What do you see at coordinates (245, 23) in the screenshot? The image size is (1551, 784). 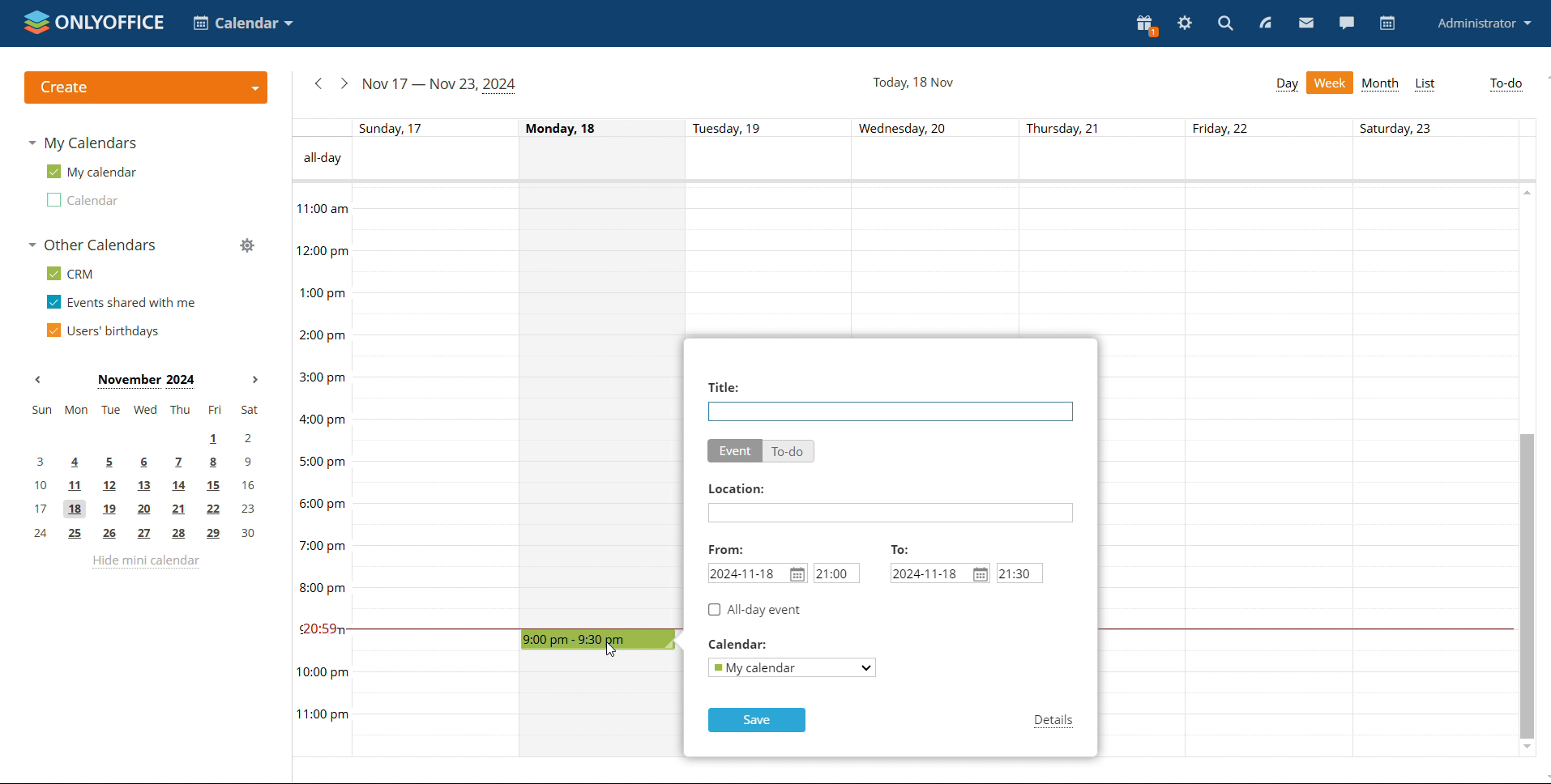 I see `select application` at bounding box center [245, 23].